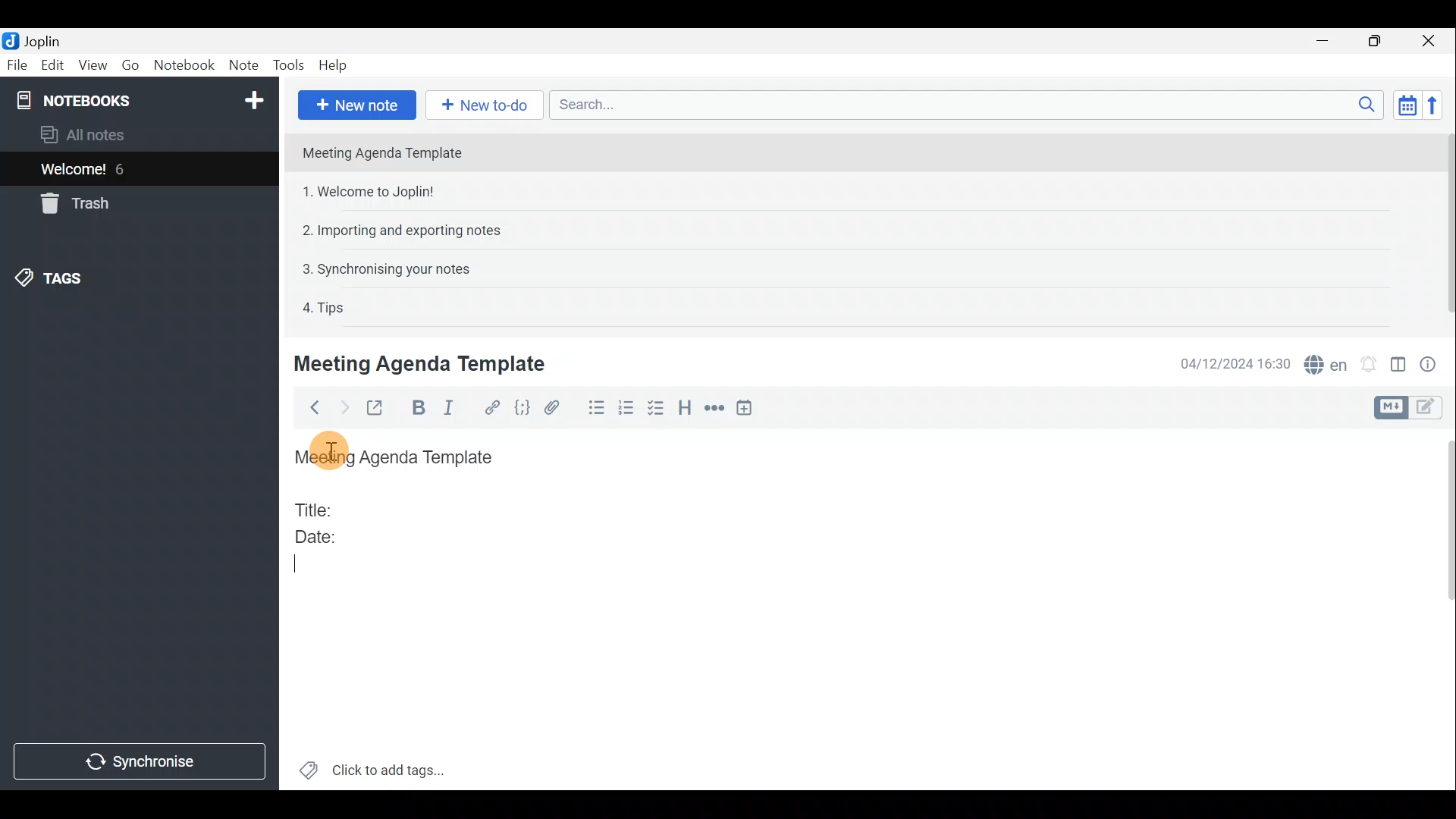 The width and height of the screenshot is (1456, 819). What do you see at coordinates (140, 761) in the screenshot?
I see `Synchronise` at bounding box center [140, 761].